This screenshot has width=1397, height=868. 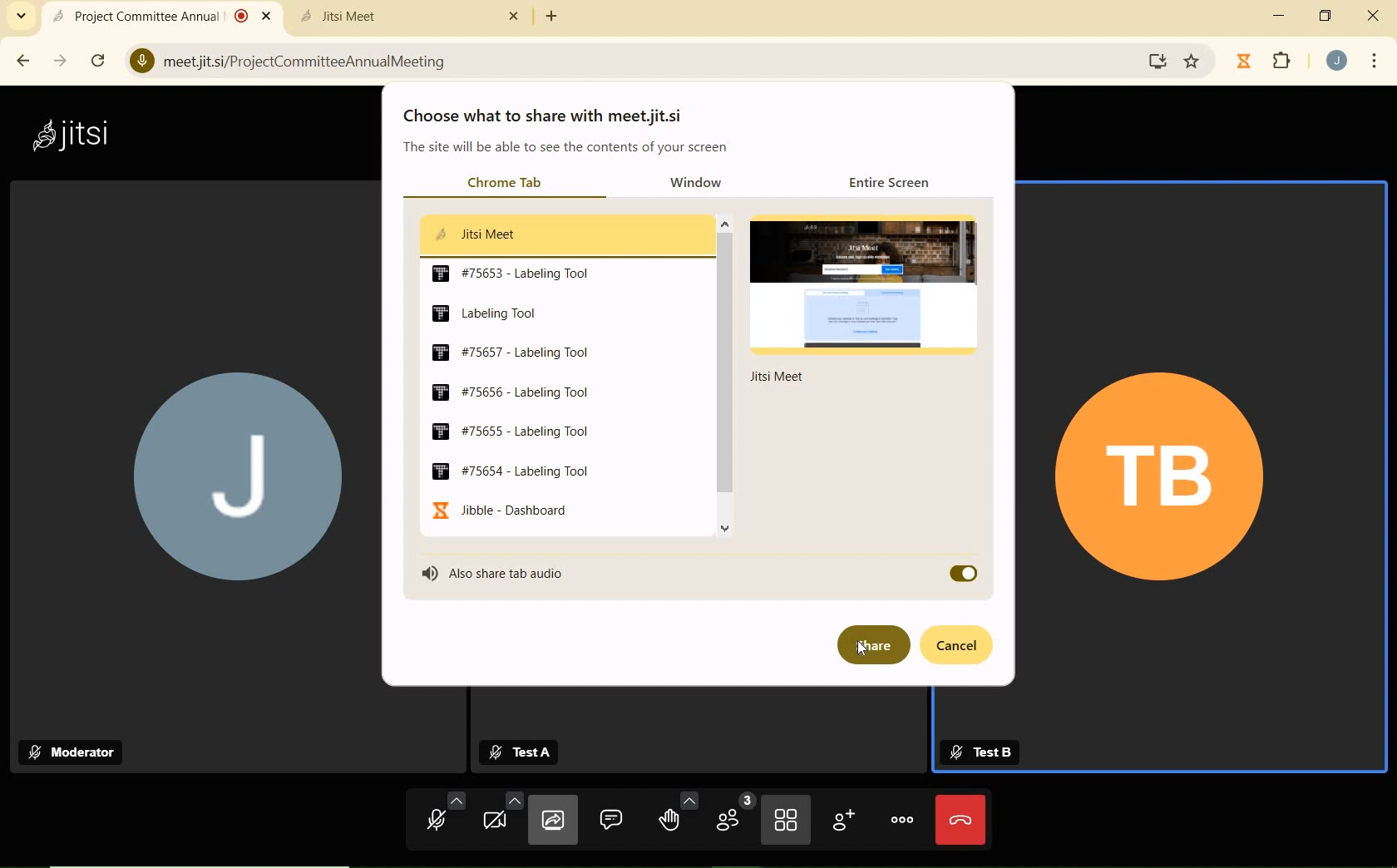 What do you see at coordinates (786, 822) in the screenshot?
I see `toggle tile view` at bounding box center [786, 822].